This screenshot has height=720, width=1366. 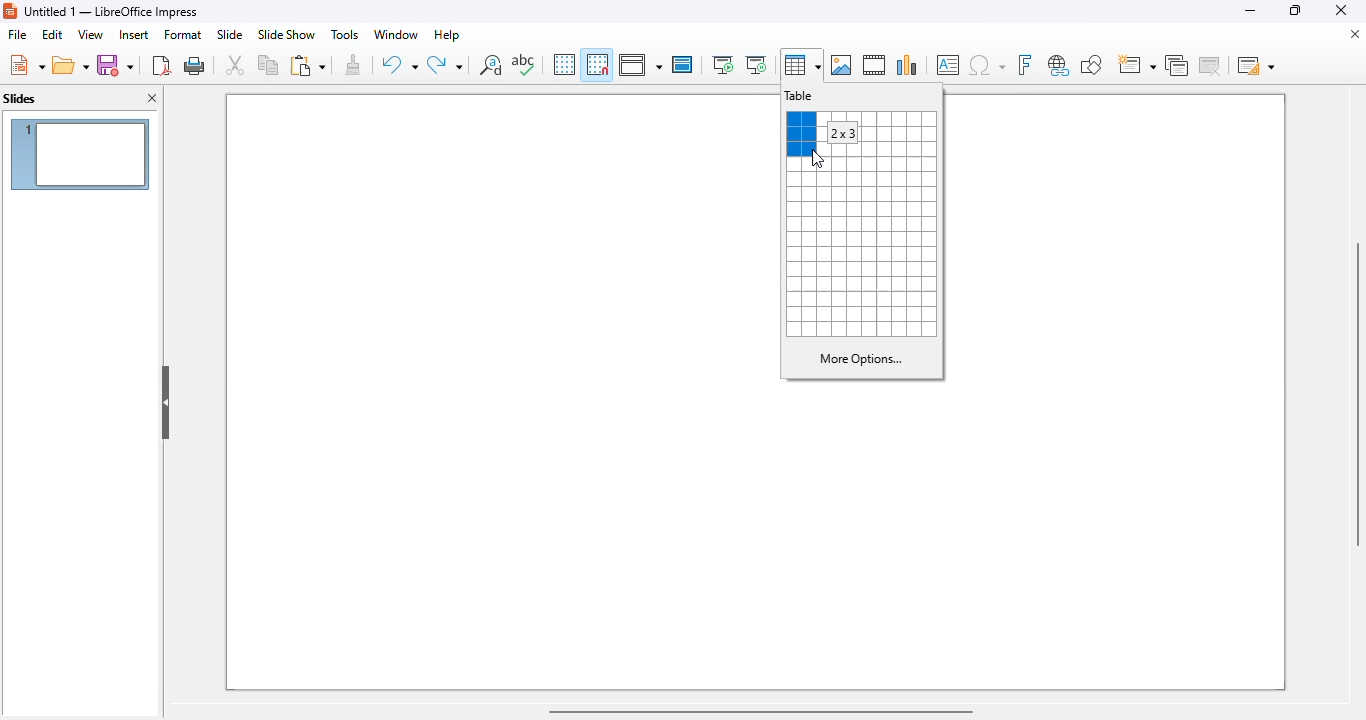 I want to click on undo, so click(x=400, y=64).